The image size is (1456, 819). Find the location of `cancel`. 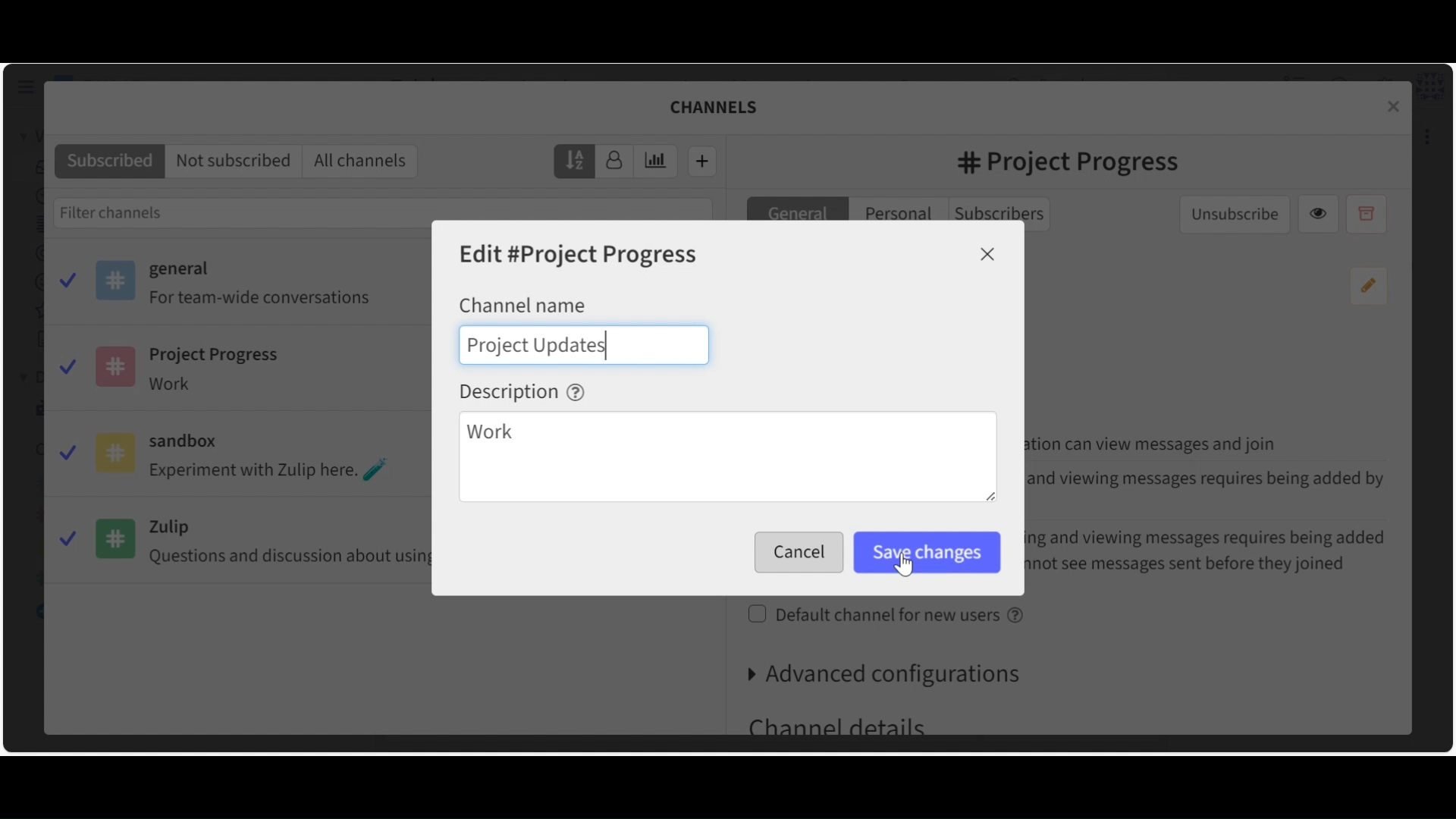

cancel is located at coordinates (800, 554).